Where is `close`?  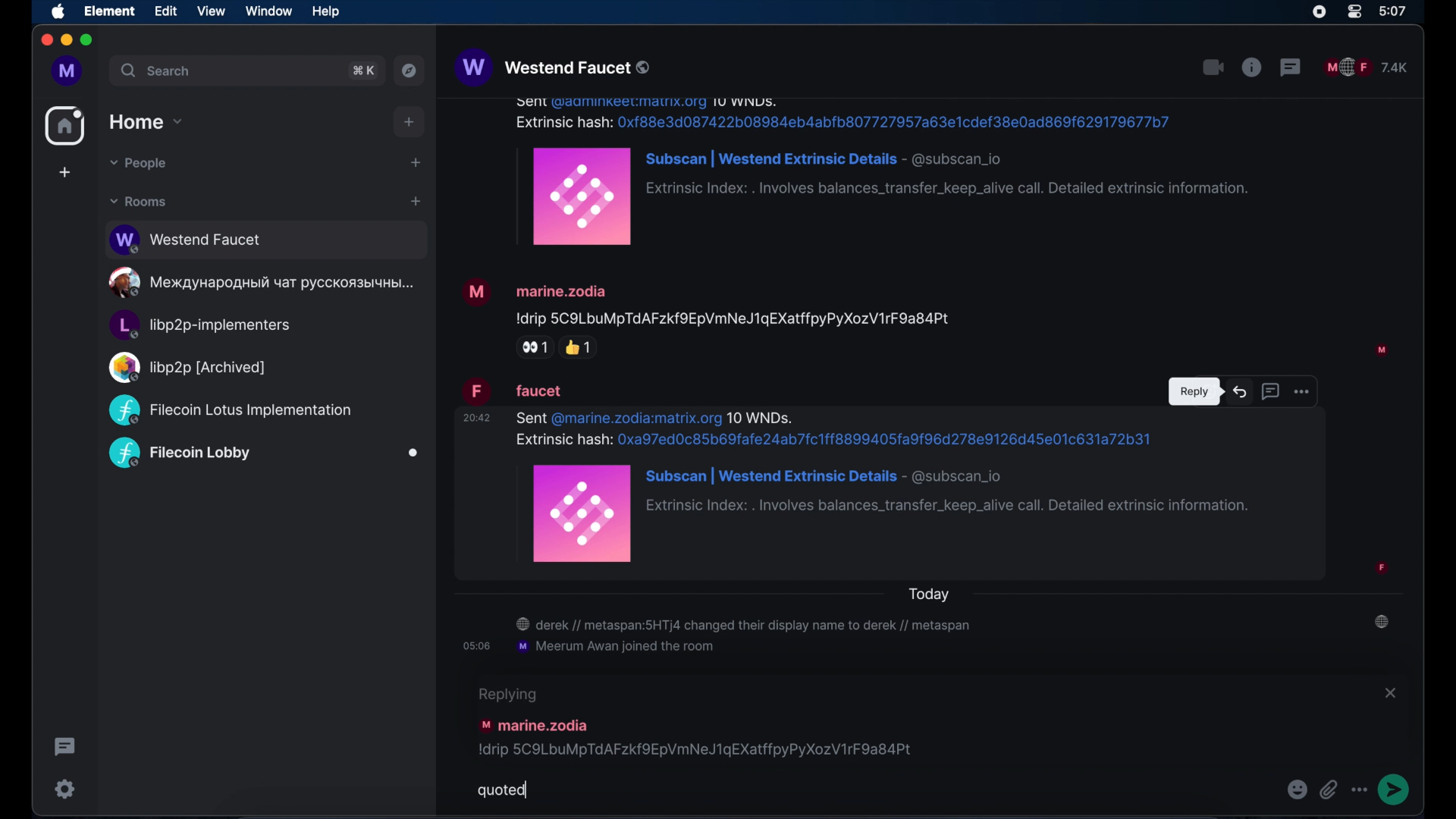
close is located at coordinates (1392, 694).